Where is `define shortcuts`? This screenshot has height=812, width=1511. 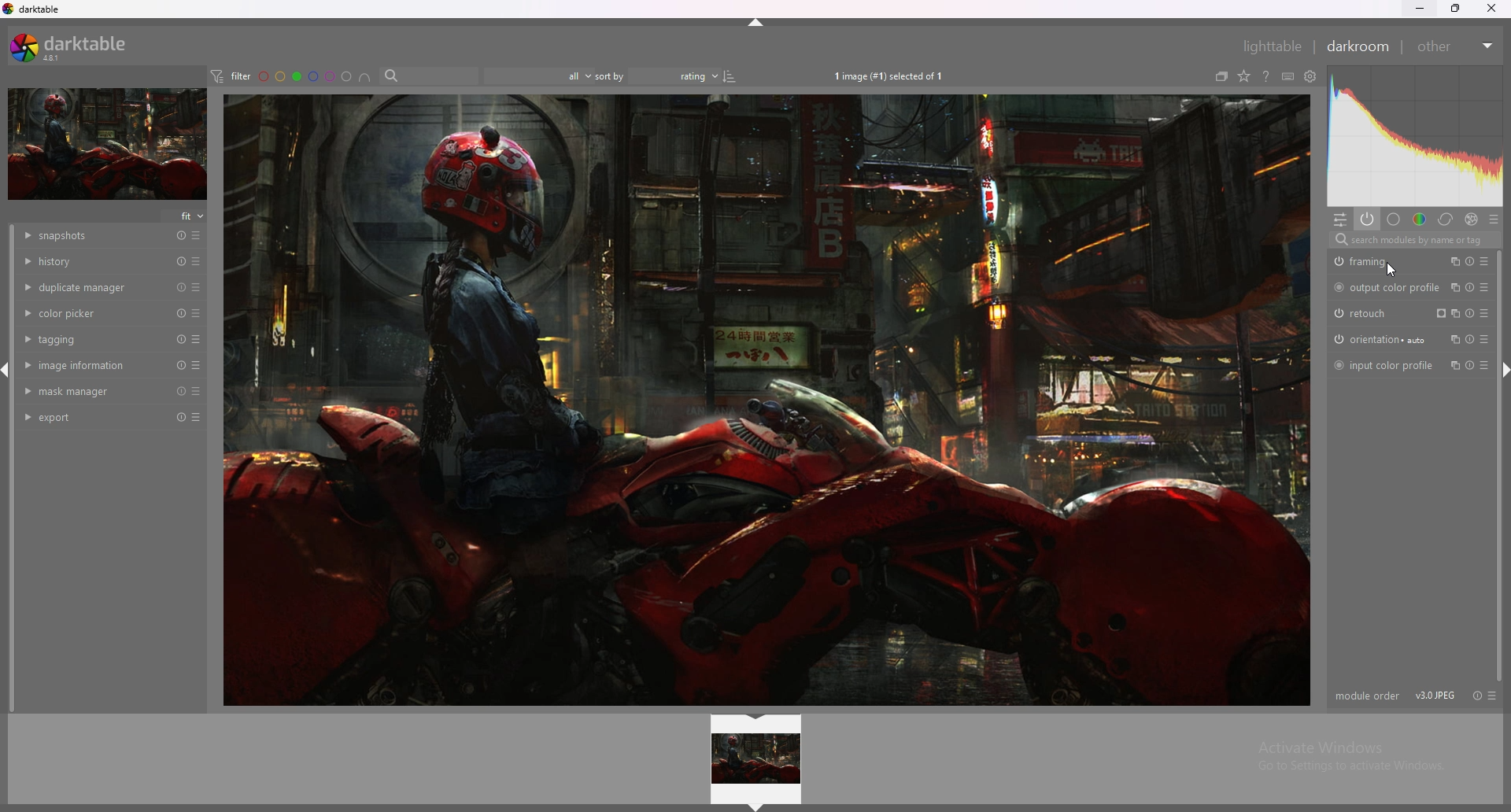 define shortcuts is located at coordinates (1287, 76).